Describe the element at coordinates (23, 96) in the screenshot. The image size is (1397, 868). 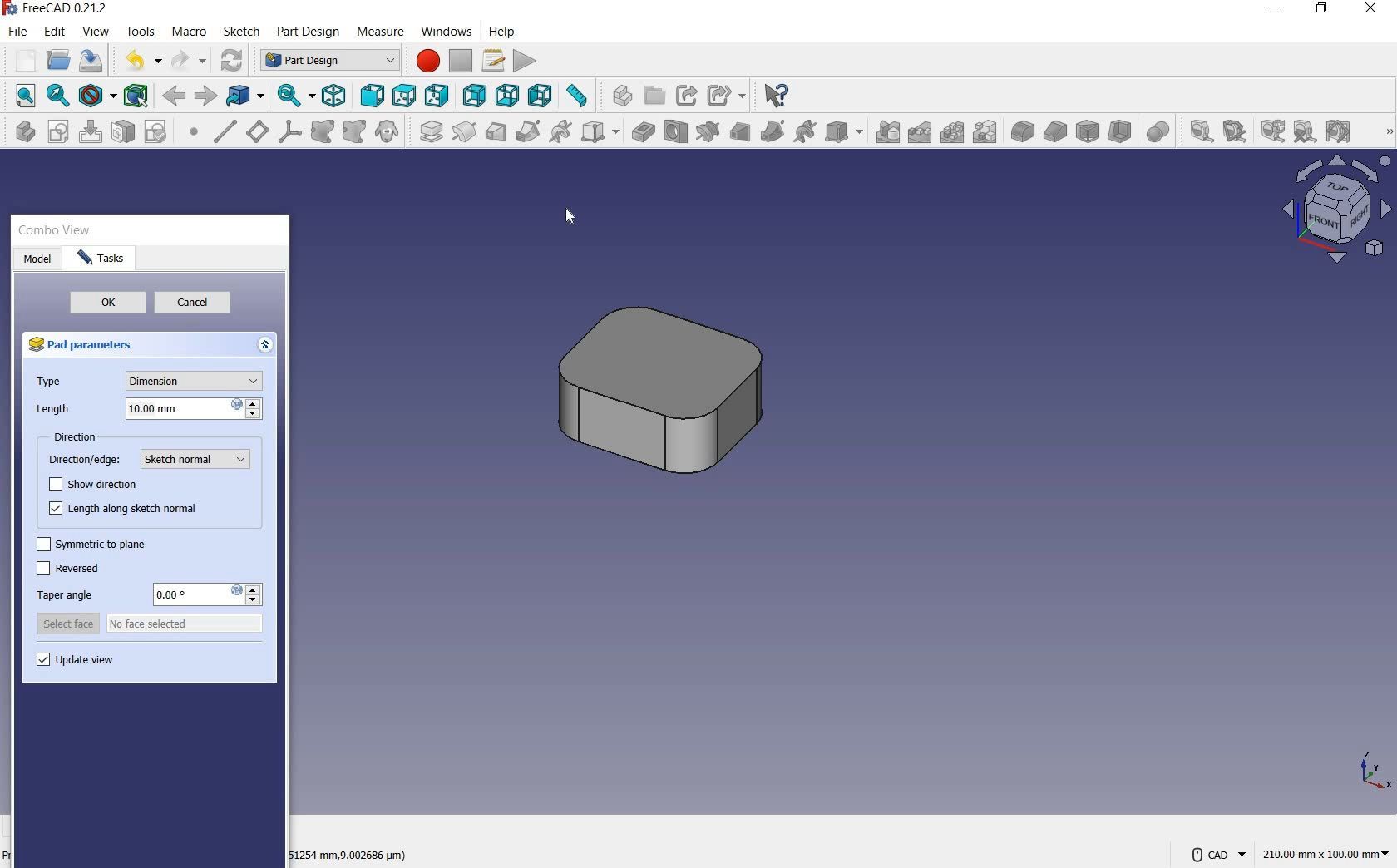
I see `fit all` at that location.